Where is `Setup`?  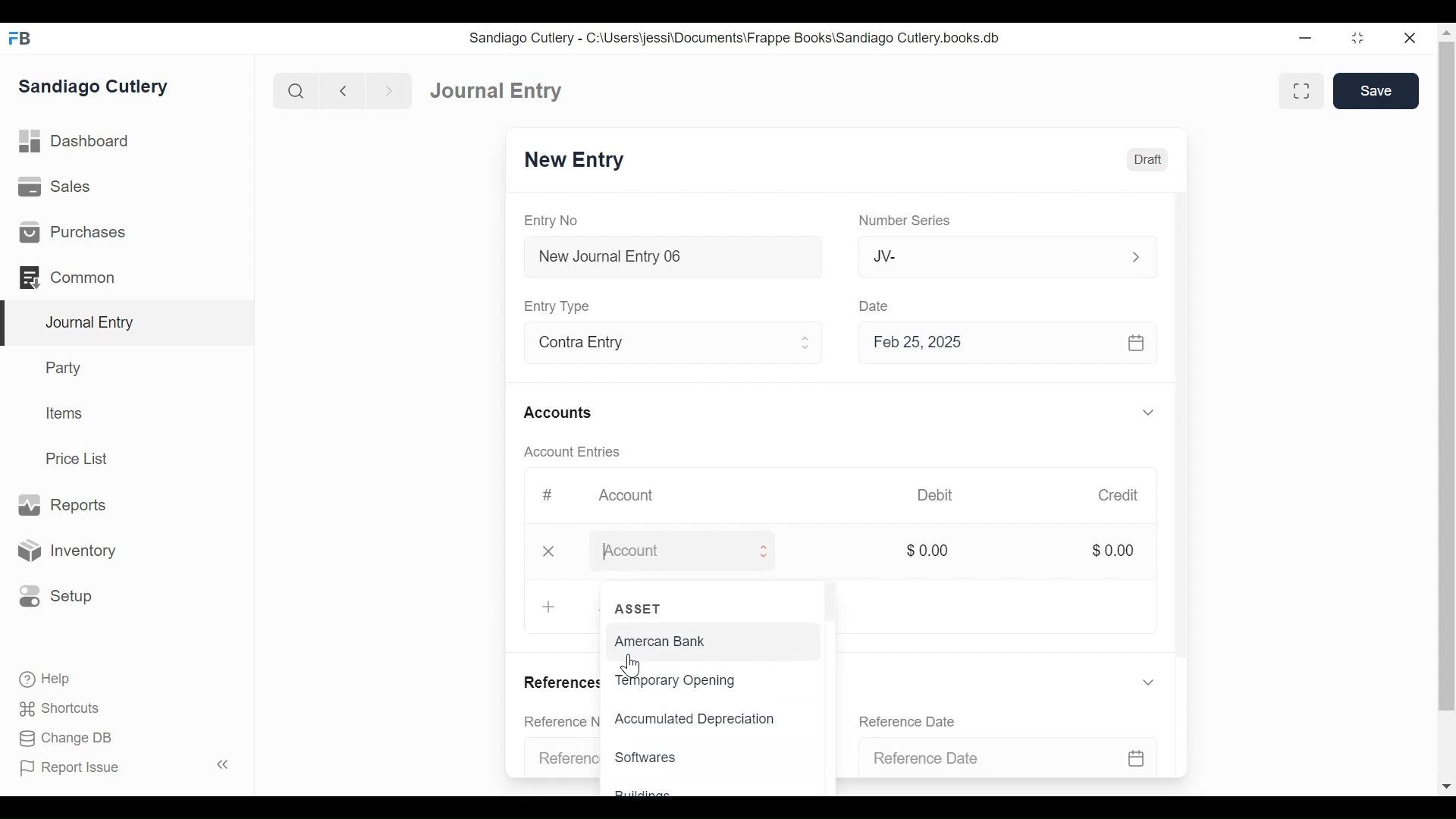 Setup is located at coordinates (52, 595).